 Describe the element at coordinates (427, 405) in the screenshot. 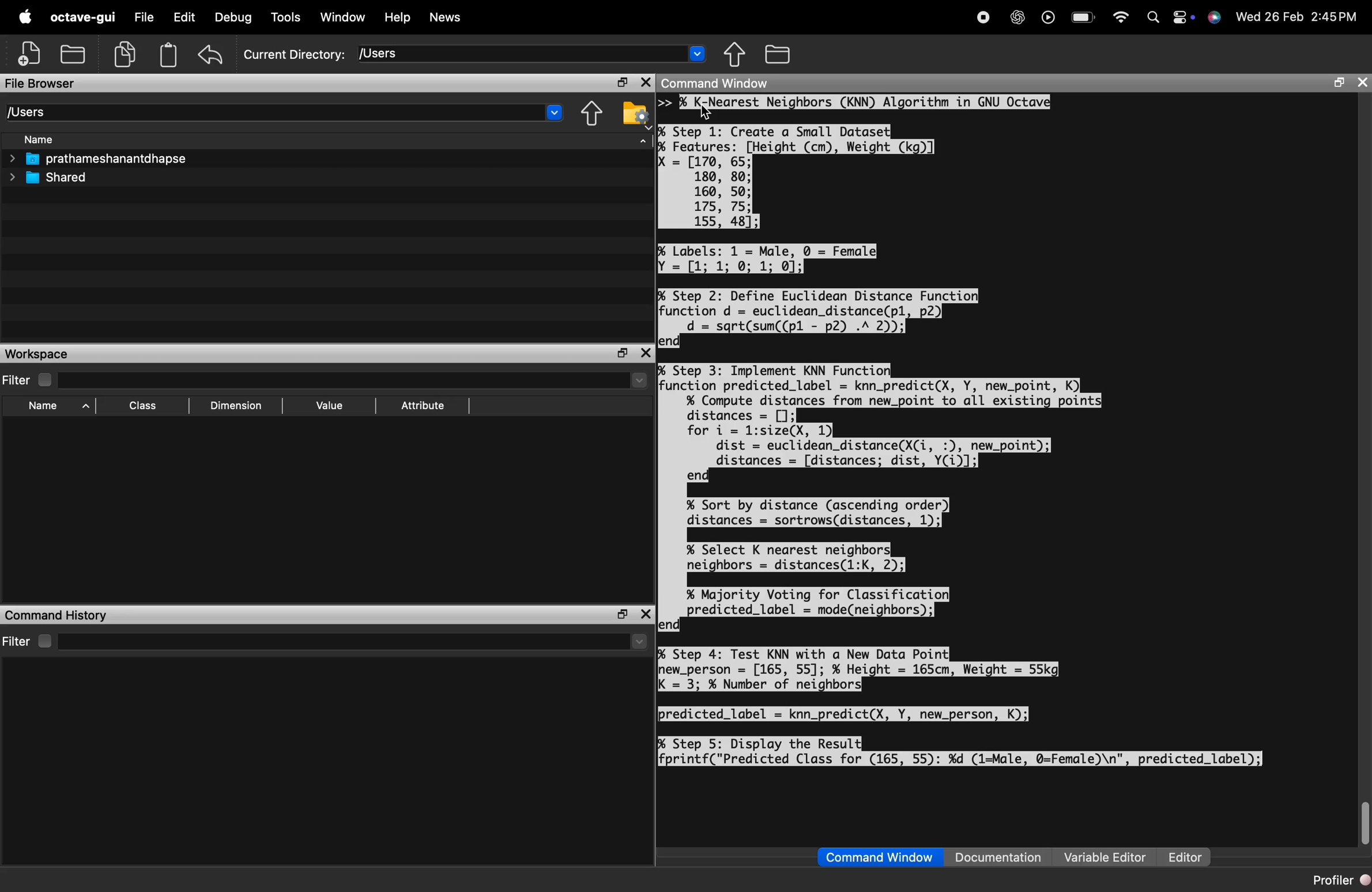

I see `Attribute` at that location.